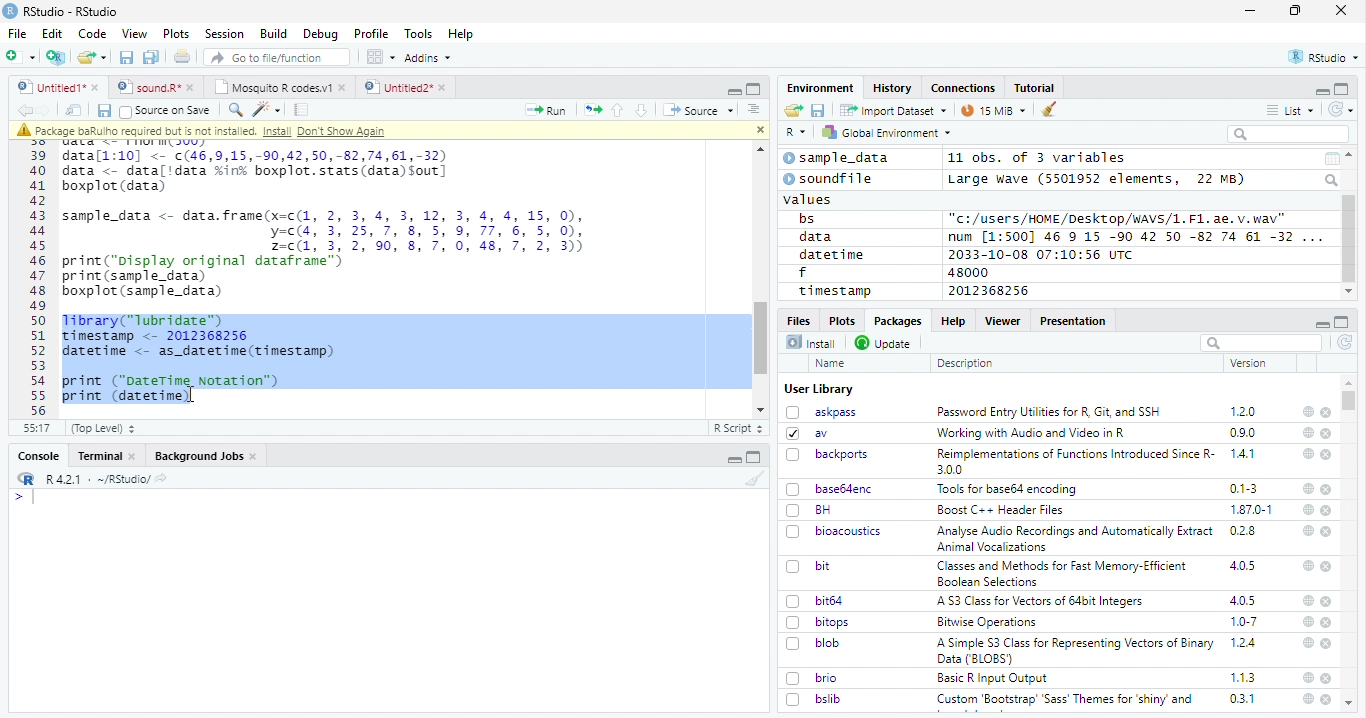  What do you see at coordinates (751, 478) in the screenshot?
I see `clear workspace` at bounding box center [751, 478].